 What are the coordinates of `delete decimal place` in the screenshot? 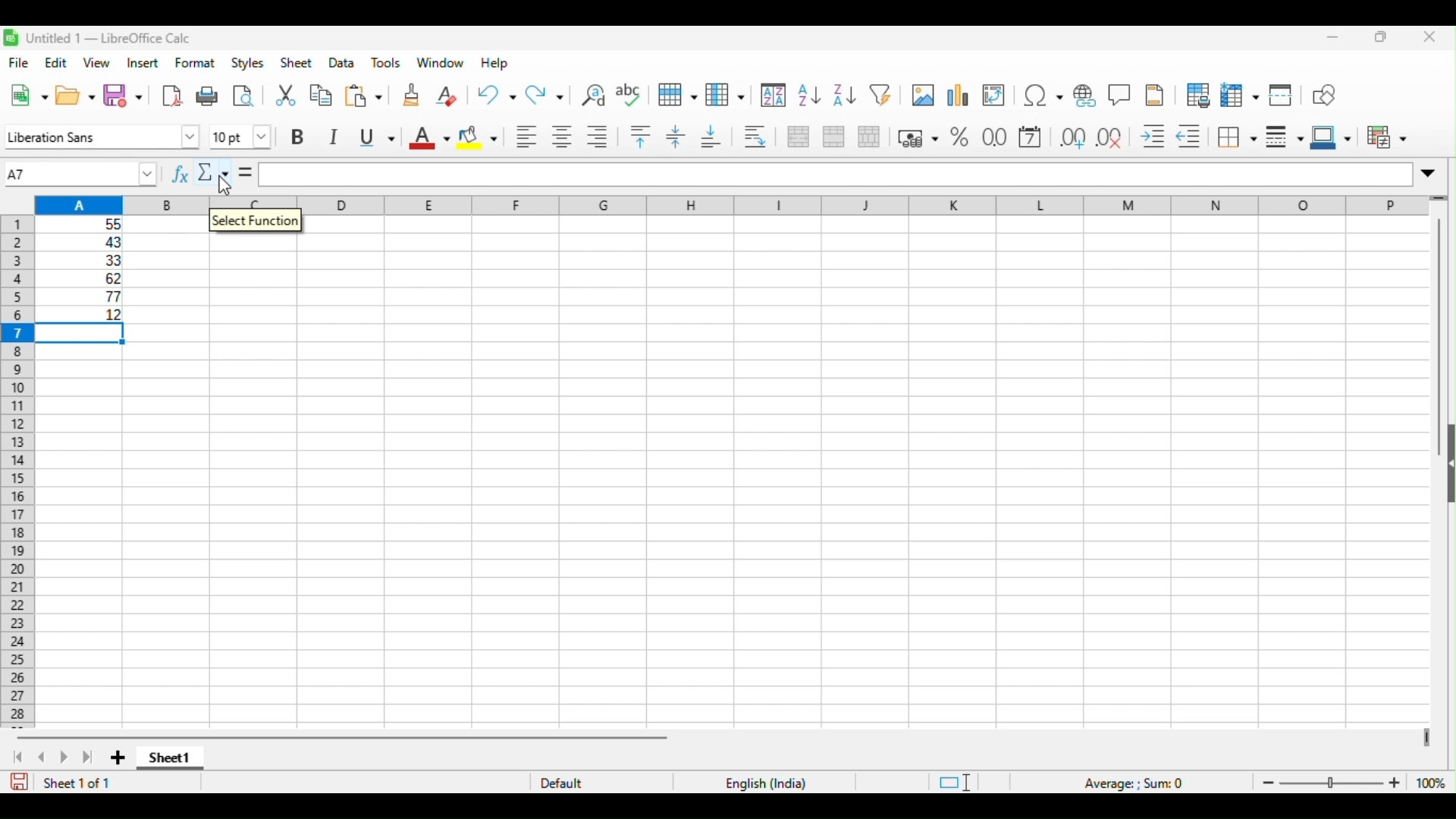 It's located at (1112, 137).